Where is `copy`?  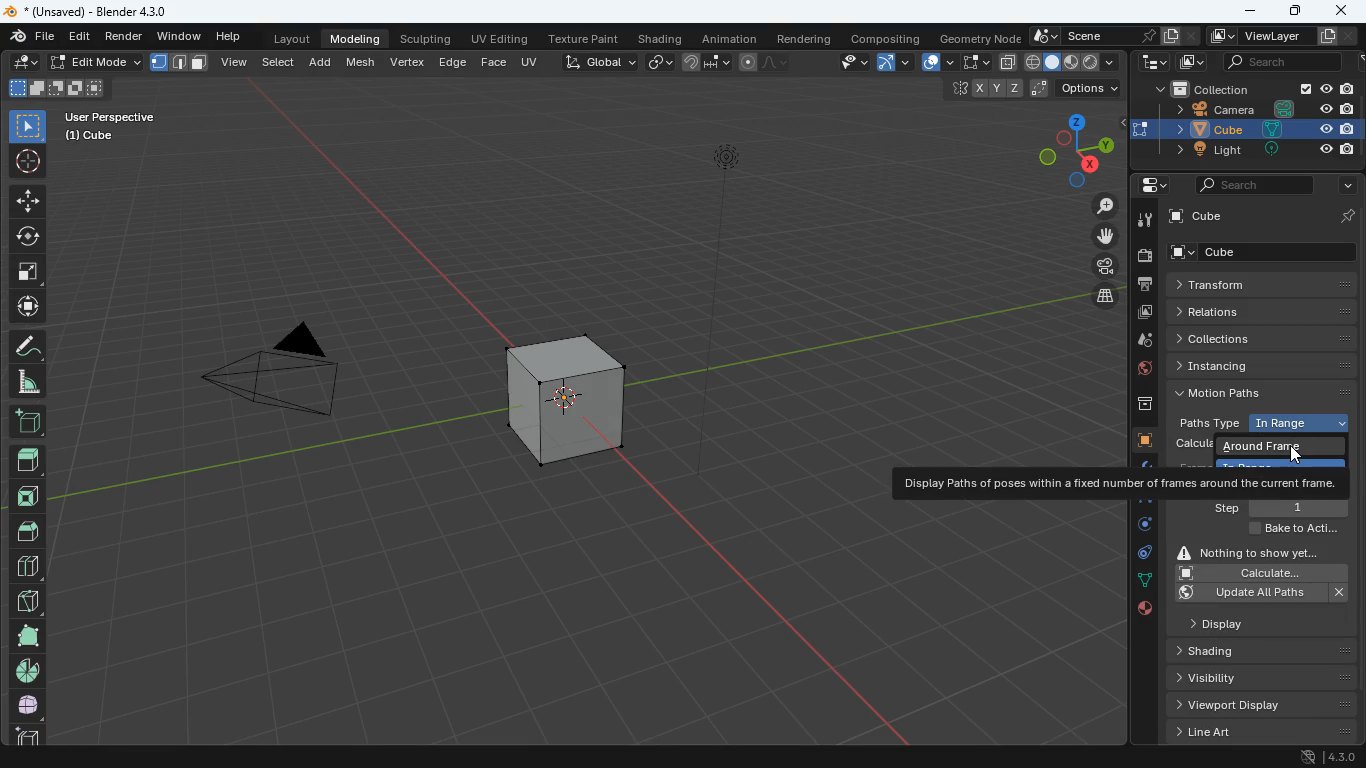
copy is located at coordinates (1007, 62).